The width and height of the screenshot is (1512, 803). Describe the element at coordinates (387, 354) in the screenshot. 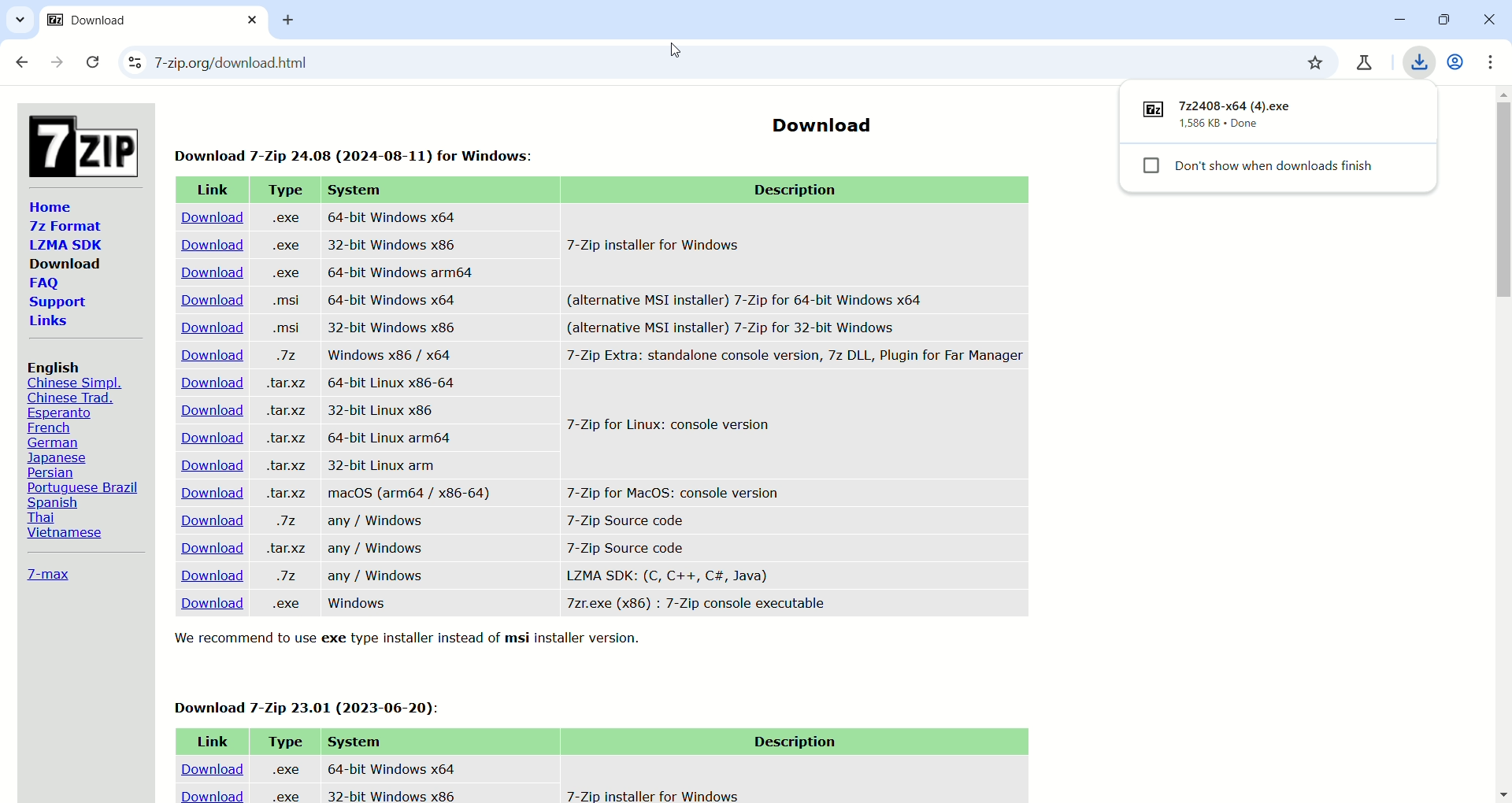

I see `‘Windows x86 / x64` at that location.